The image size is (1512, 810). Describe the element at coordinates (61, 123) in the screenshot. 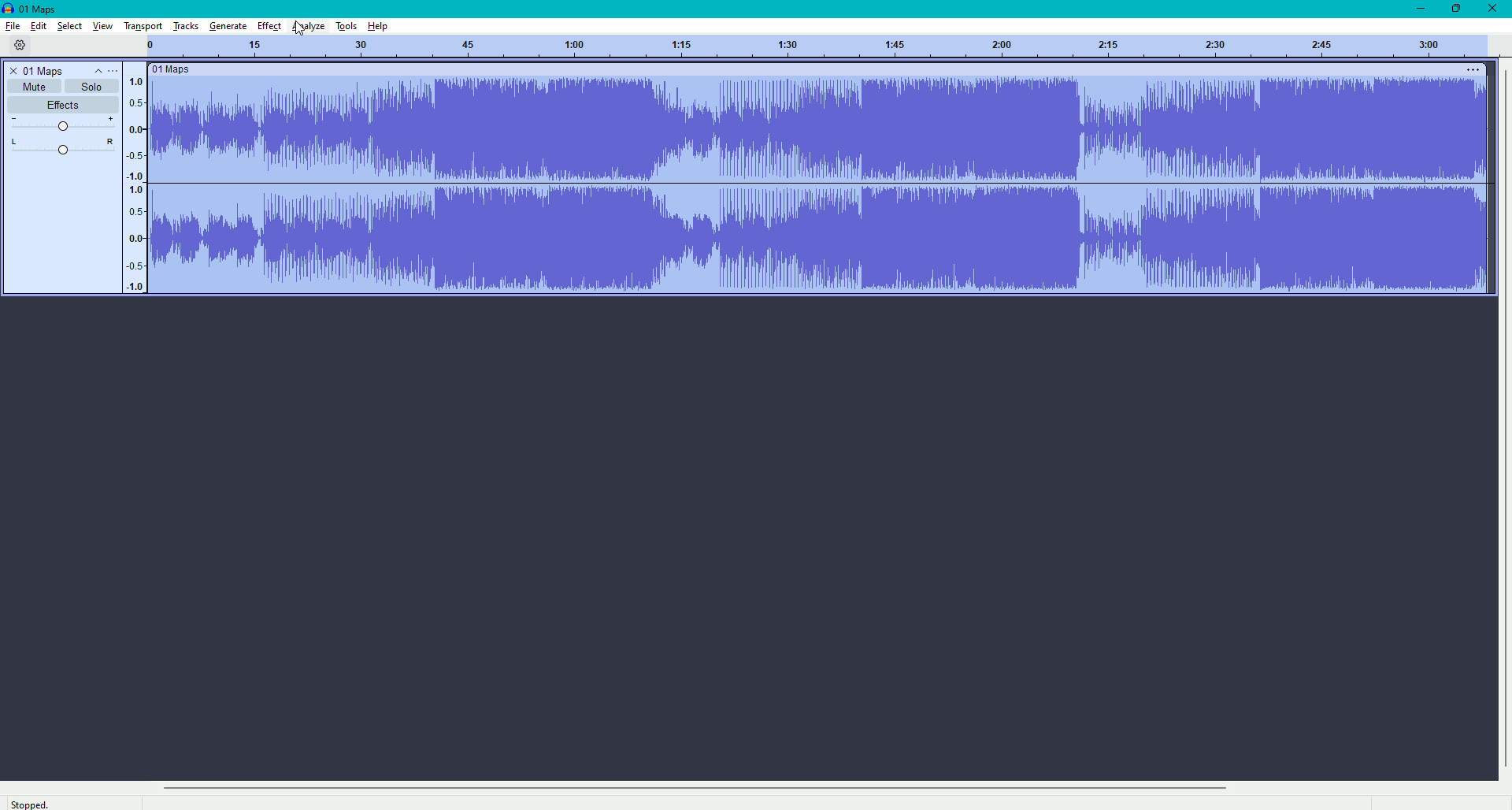

I see `Slider` at that location.